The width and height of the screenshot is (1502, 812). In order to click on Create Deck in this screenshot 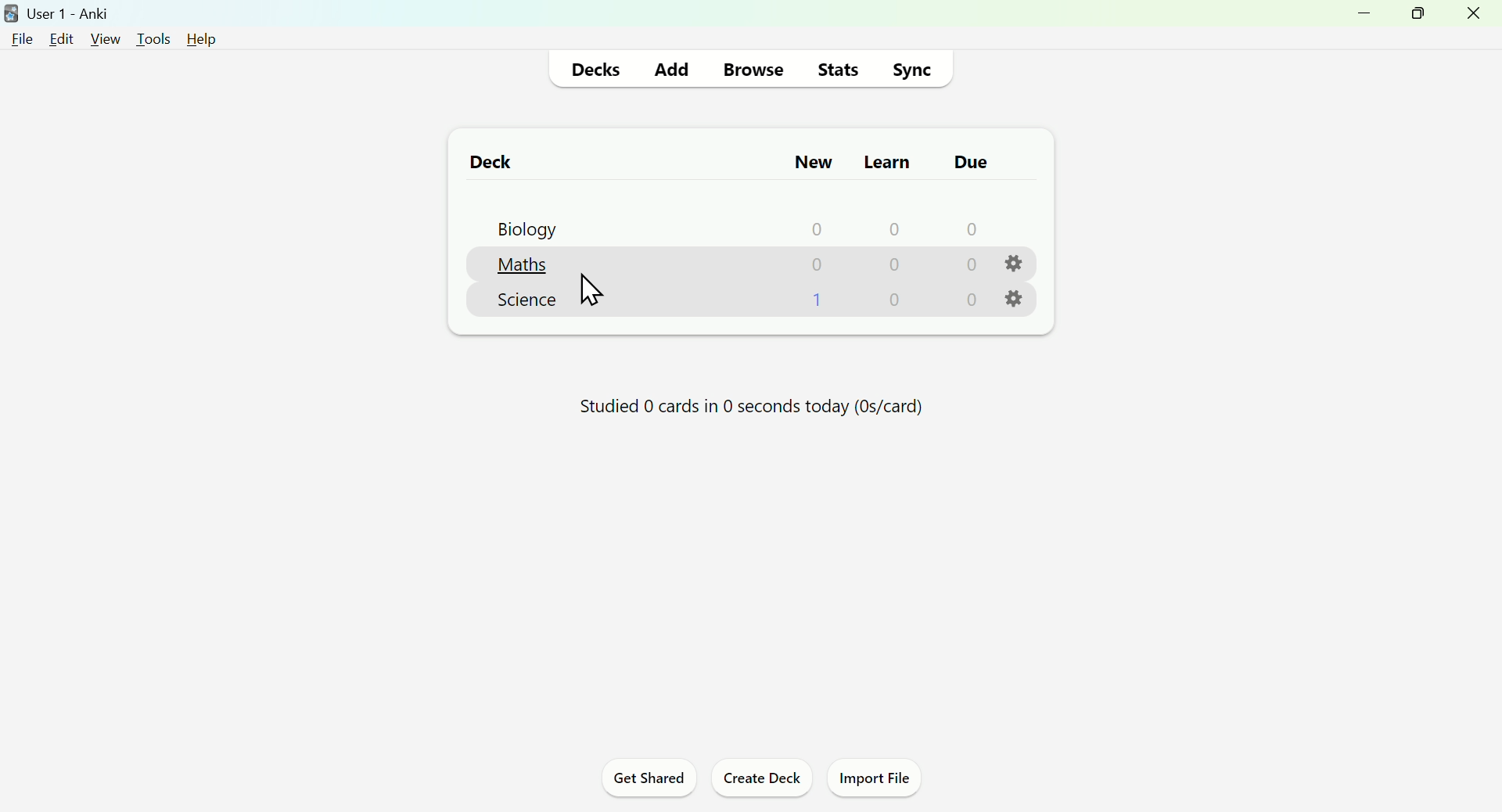, I will do `click(761, 781)`.